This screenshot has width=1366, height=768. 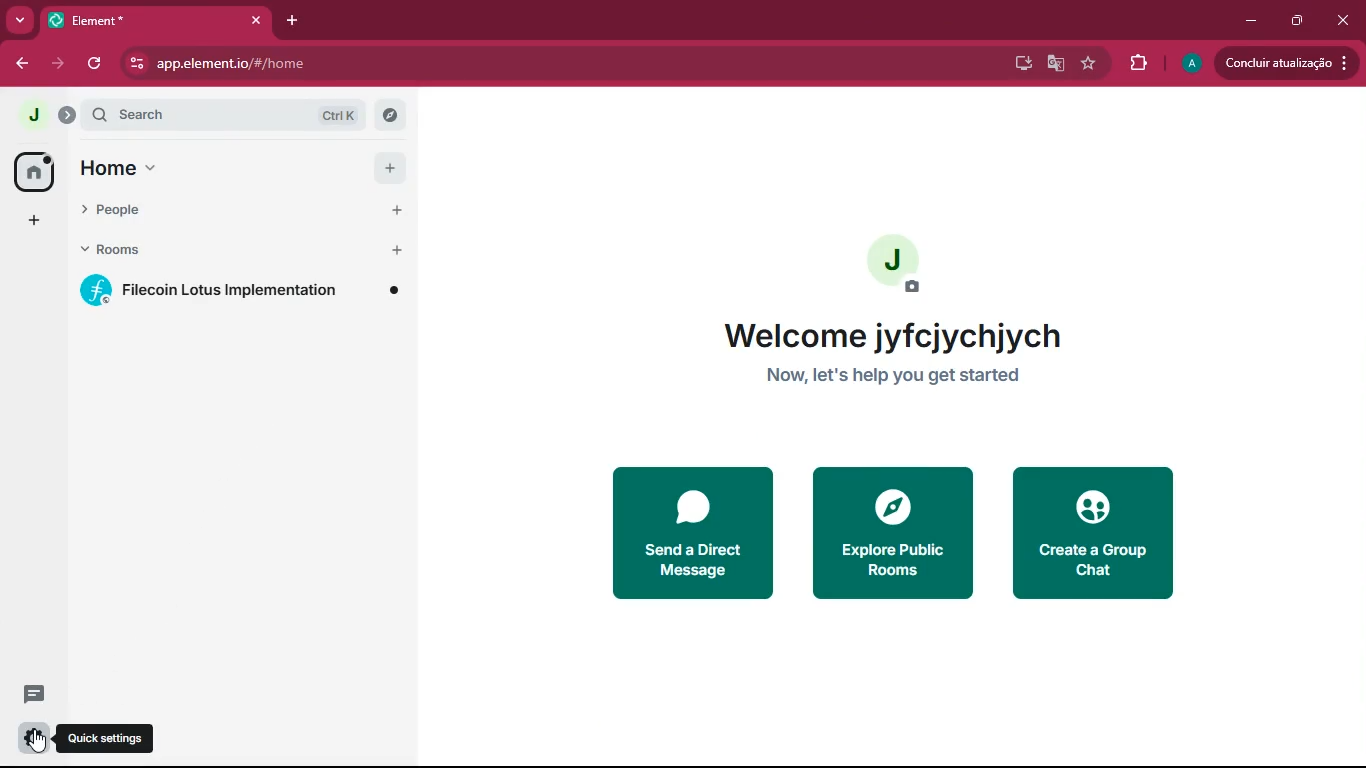 What do you see at coordinates (213, 248) in the screenshot?
I see `rooms` at bounding box center [213, 248].